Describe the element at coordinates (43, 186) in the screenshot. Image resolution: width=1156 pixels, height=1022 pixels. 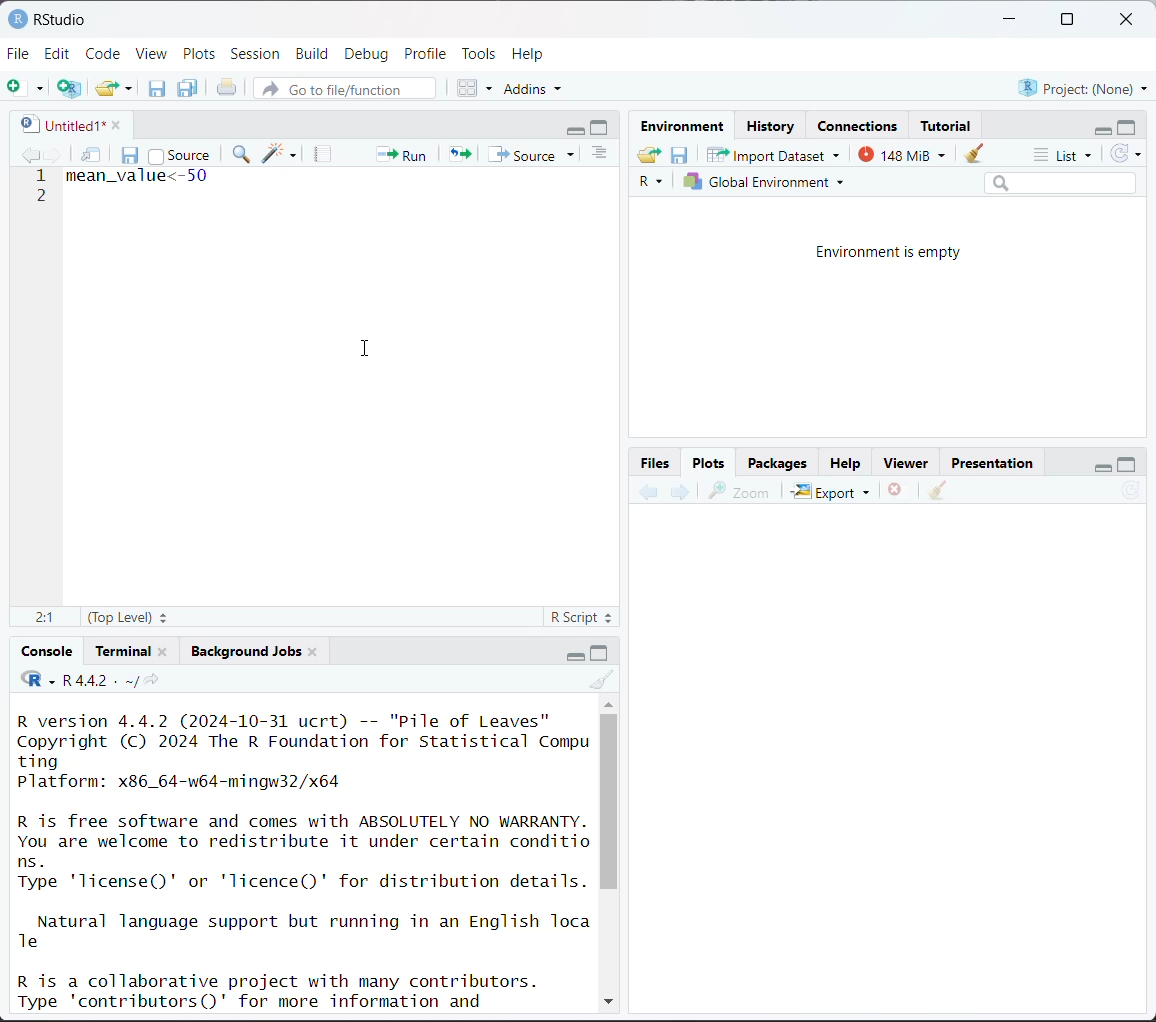
I see `line number` at that location.